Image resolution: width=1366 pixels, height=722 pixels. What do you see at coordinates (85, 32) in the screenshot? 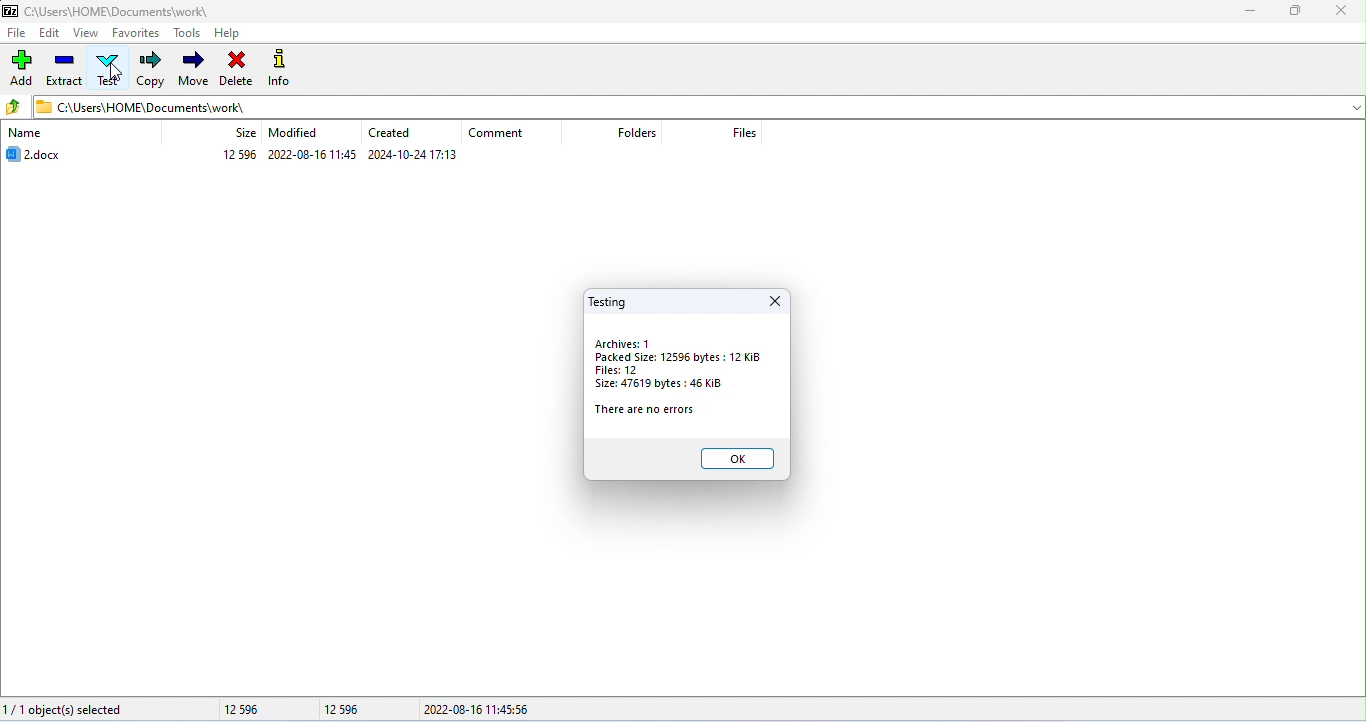
I see `view` at bounding box center [85, 32].